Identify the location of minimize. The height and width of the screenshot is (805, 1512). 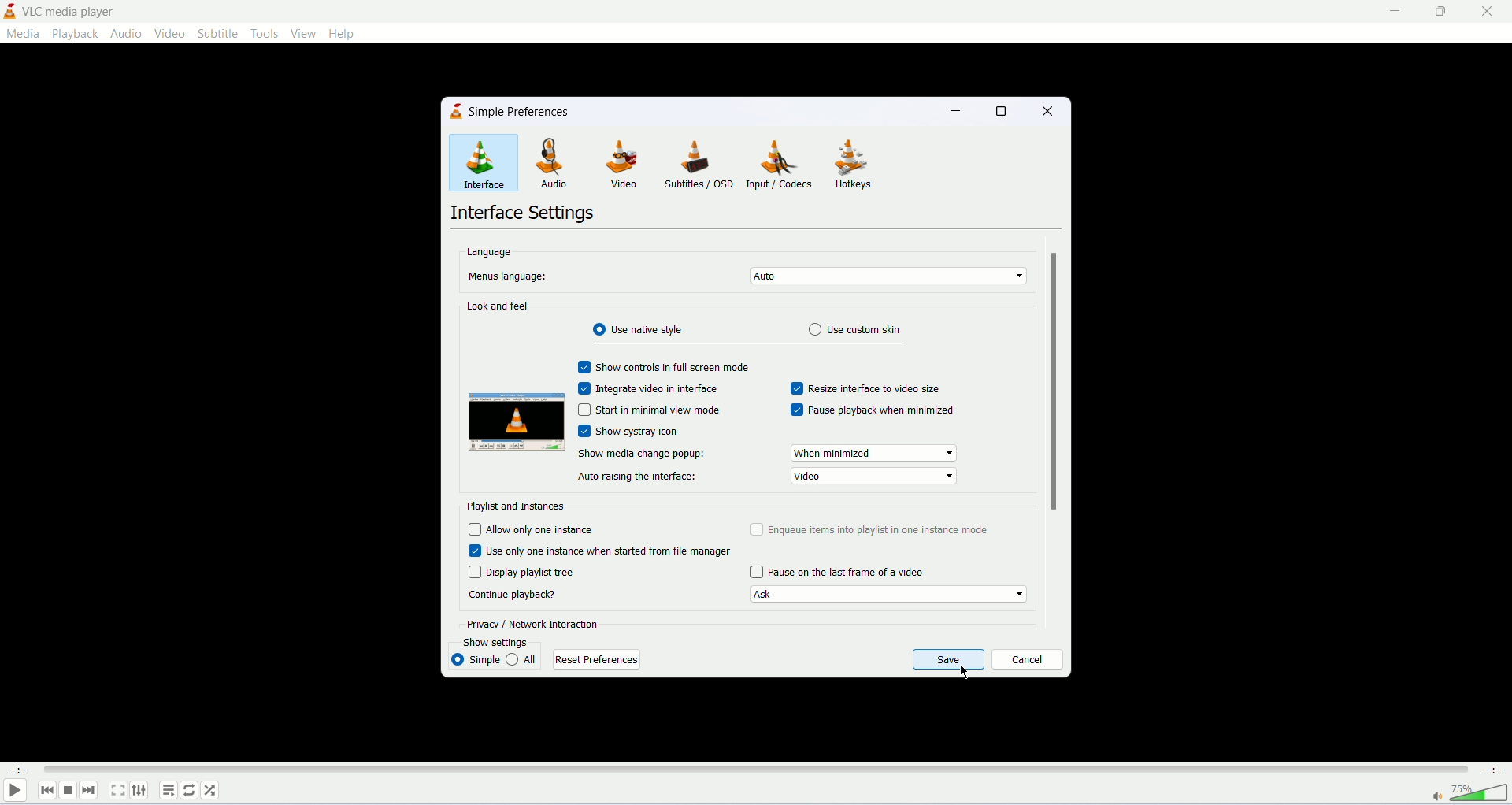
(954, 111).